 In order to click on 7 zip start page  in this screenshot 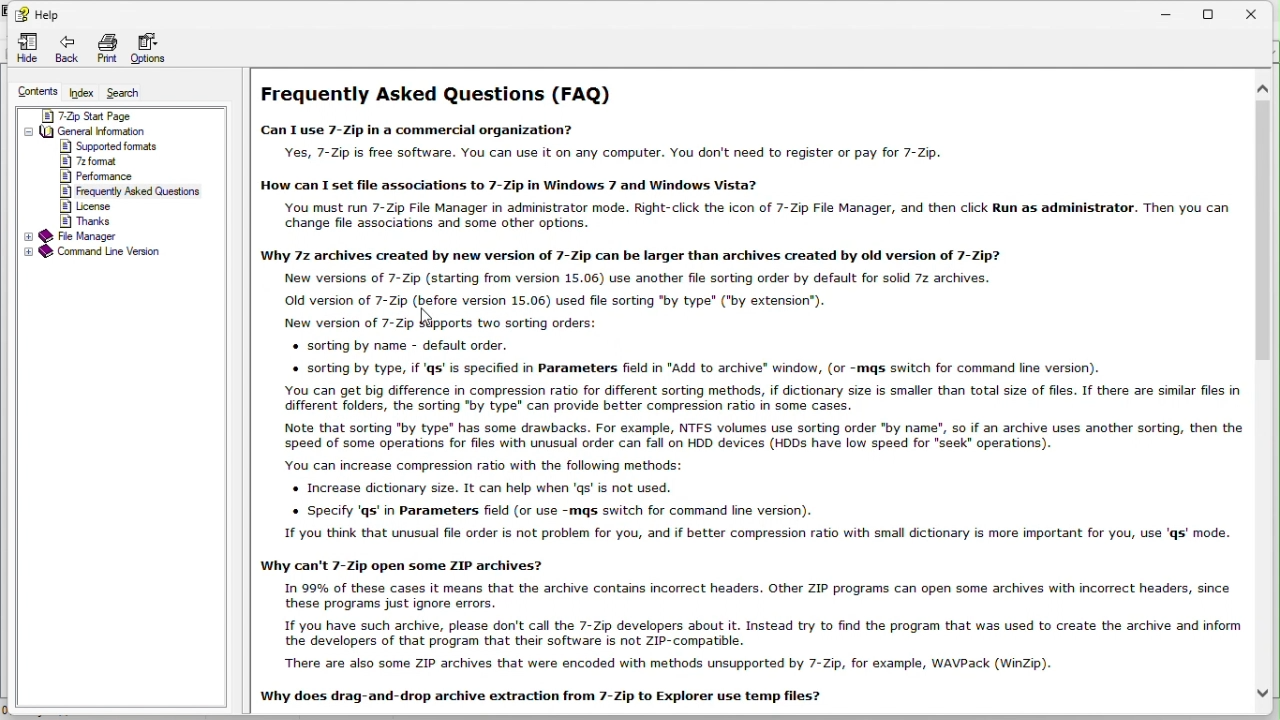, I will do `click(76, 118)`.